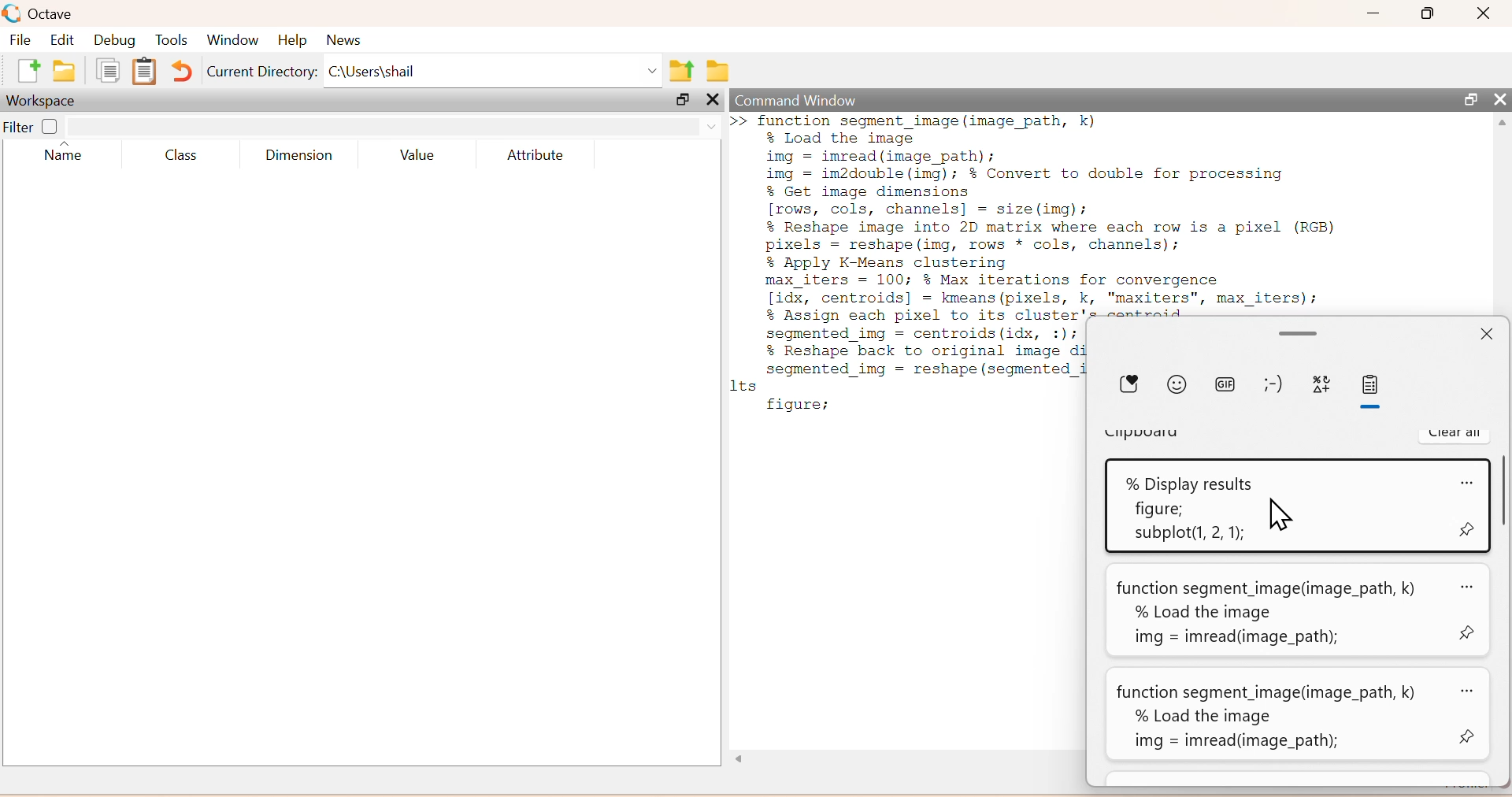 This screenshot has height=797, width=1512. Describe the element at coordinates (172, 42) in the screenshot. I see `Tools` at that location.